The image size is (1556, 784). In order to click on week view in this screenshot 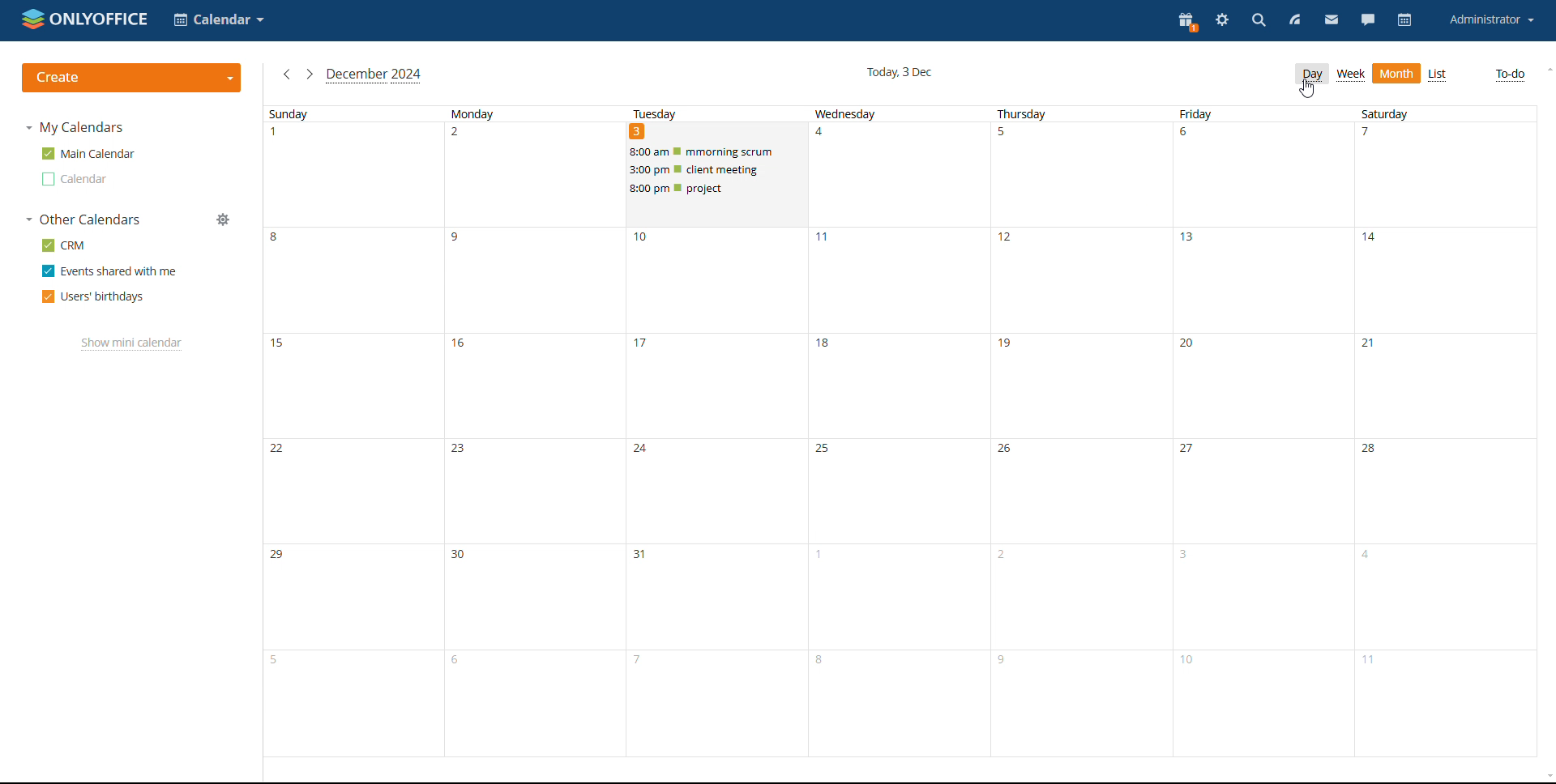, I will do `click(1352, 75)`.